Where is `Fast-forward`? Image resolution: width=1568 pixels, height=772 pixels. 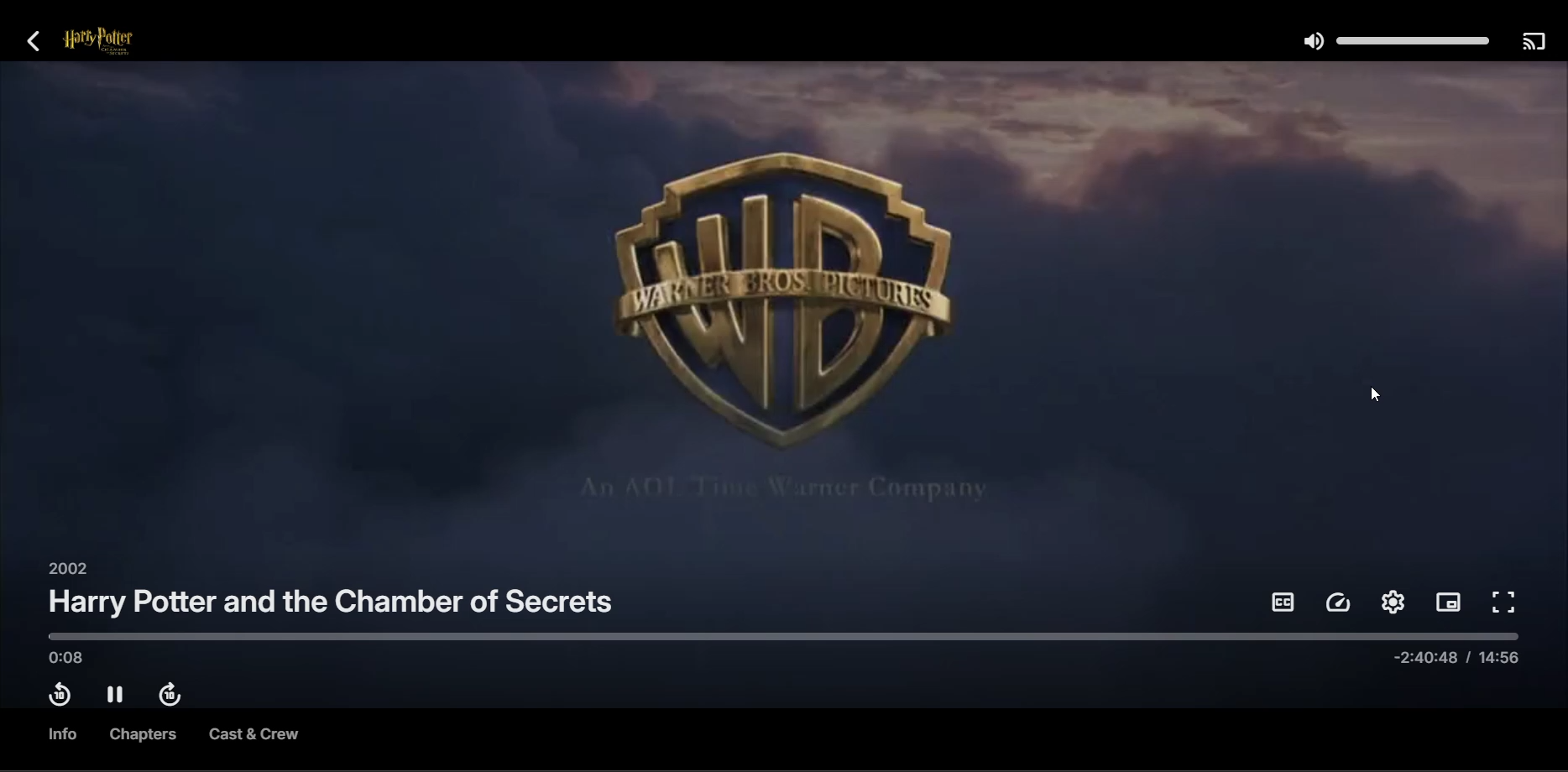
Fast-forward is located at coordinates (175, 696).